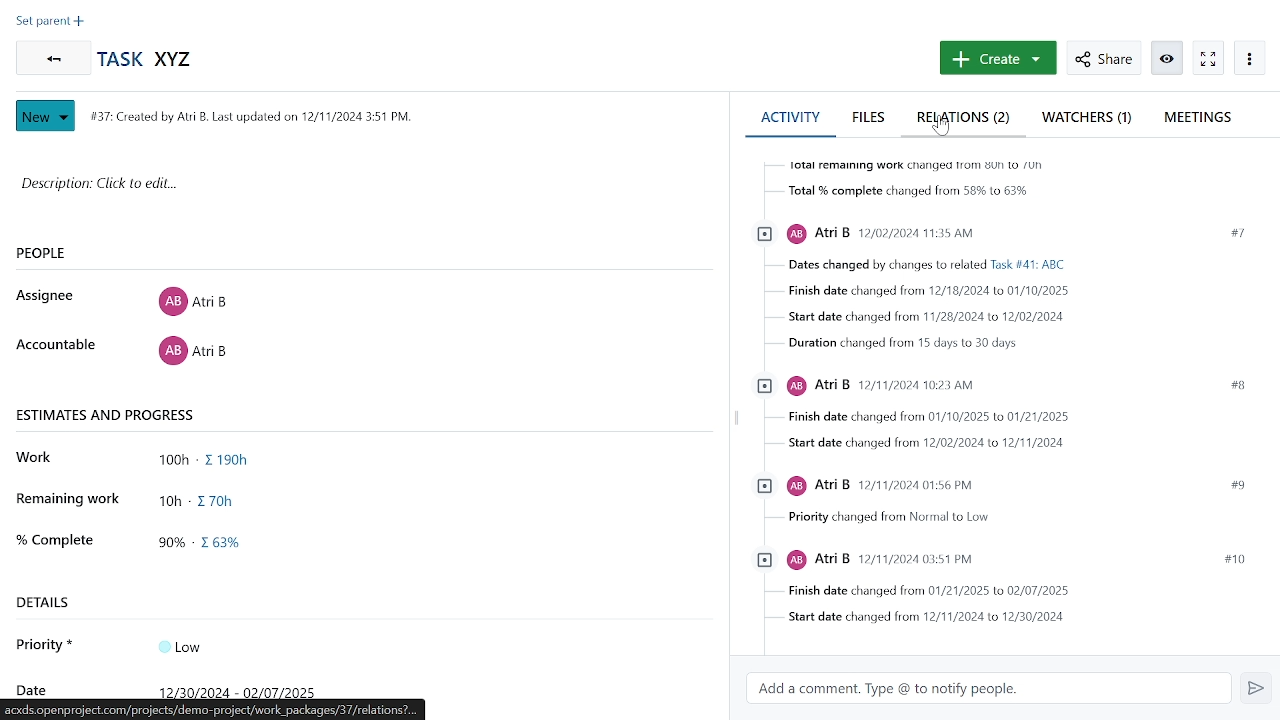 The height and width of the screenshot is (720, 1280). I want to click on relations, so click(965, 120).